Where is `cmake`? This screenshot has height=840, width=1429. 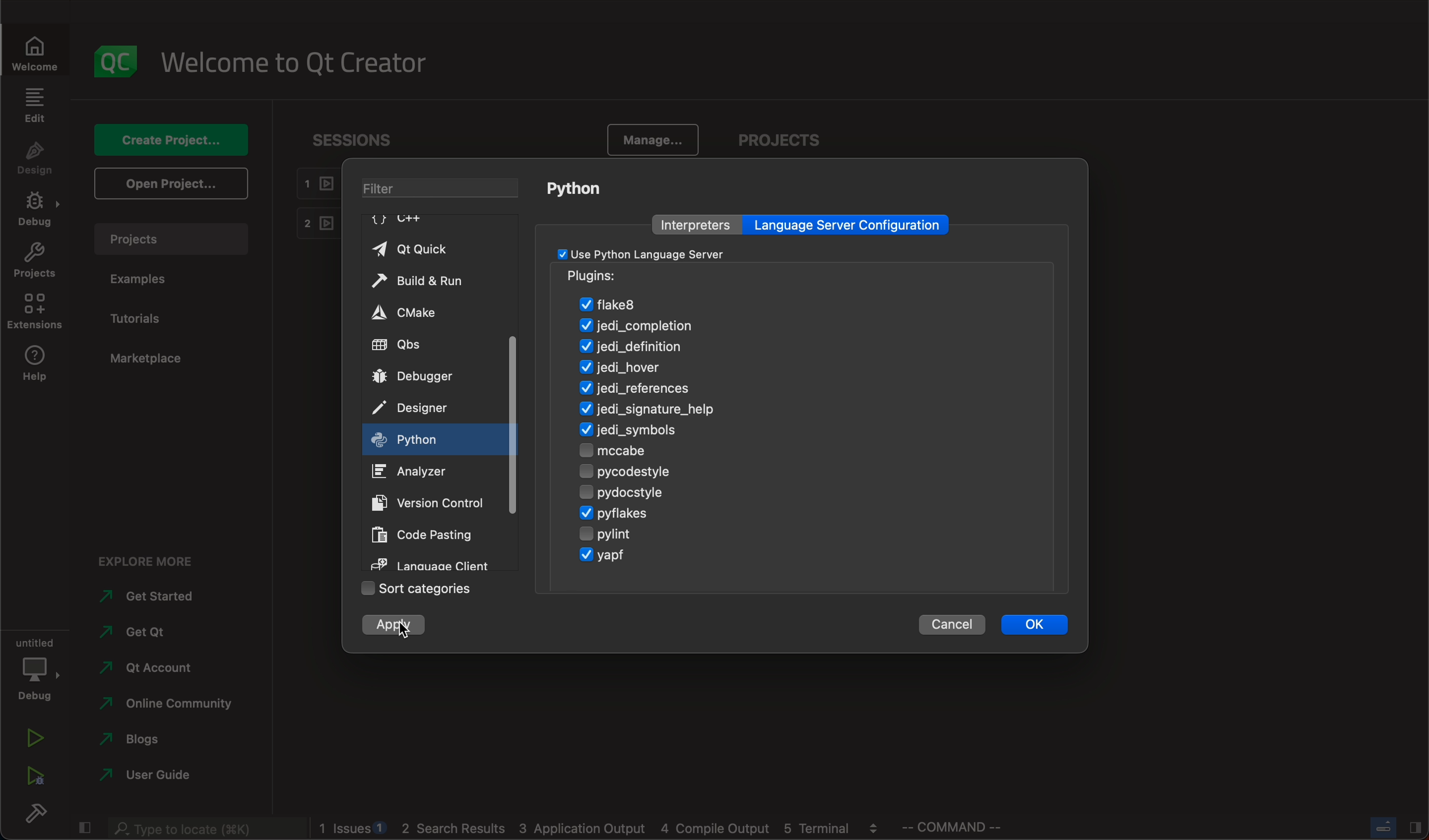
cmake is located at coordinates (408, 311).